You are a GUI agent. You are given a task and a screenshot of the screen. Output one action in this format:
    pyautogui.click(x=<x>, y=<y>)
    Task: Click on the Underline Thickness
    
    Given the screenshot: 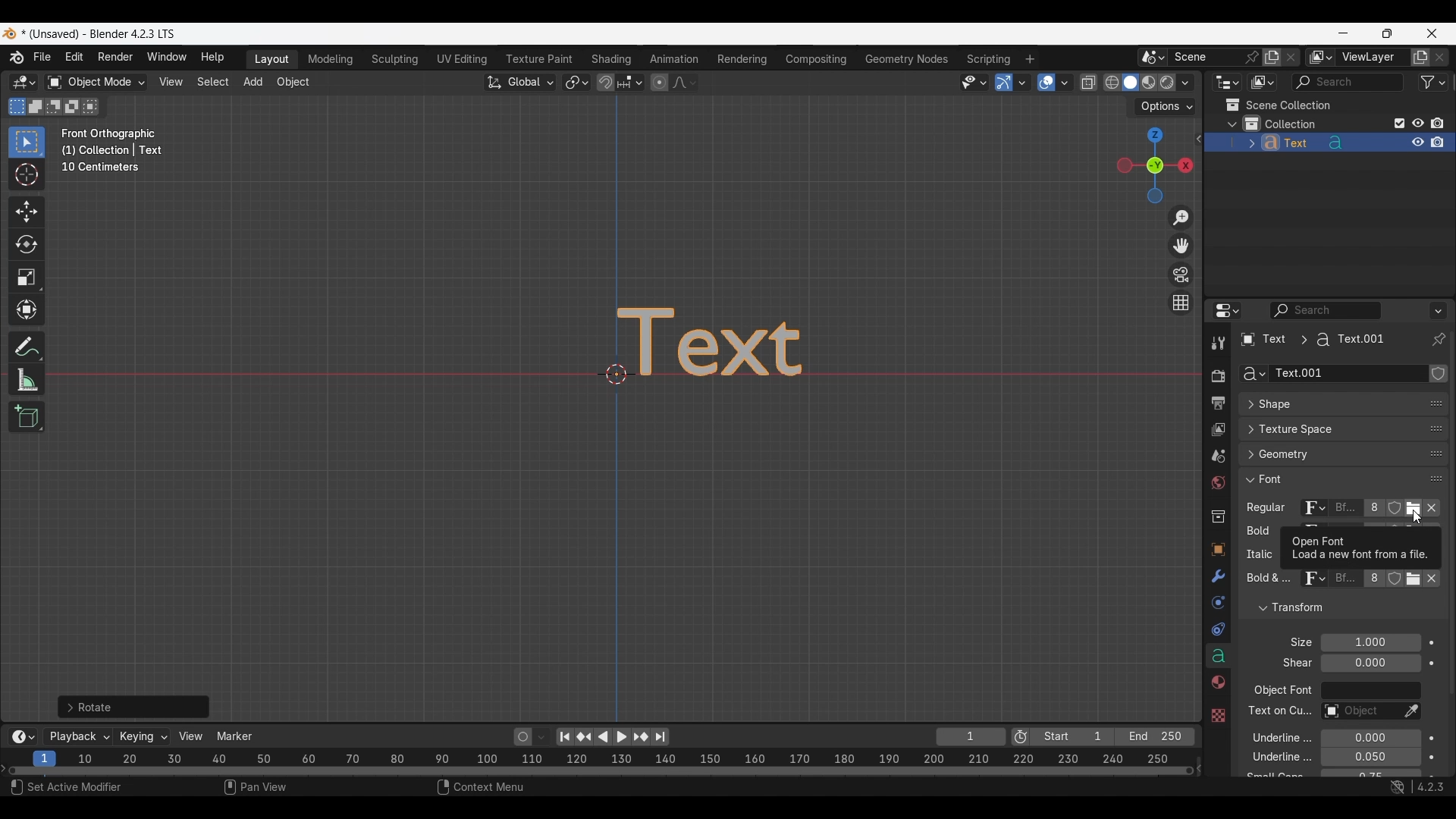 What is the action you would take?
    pyautogui.click(x=1370, y=758)
    